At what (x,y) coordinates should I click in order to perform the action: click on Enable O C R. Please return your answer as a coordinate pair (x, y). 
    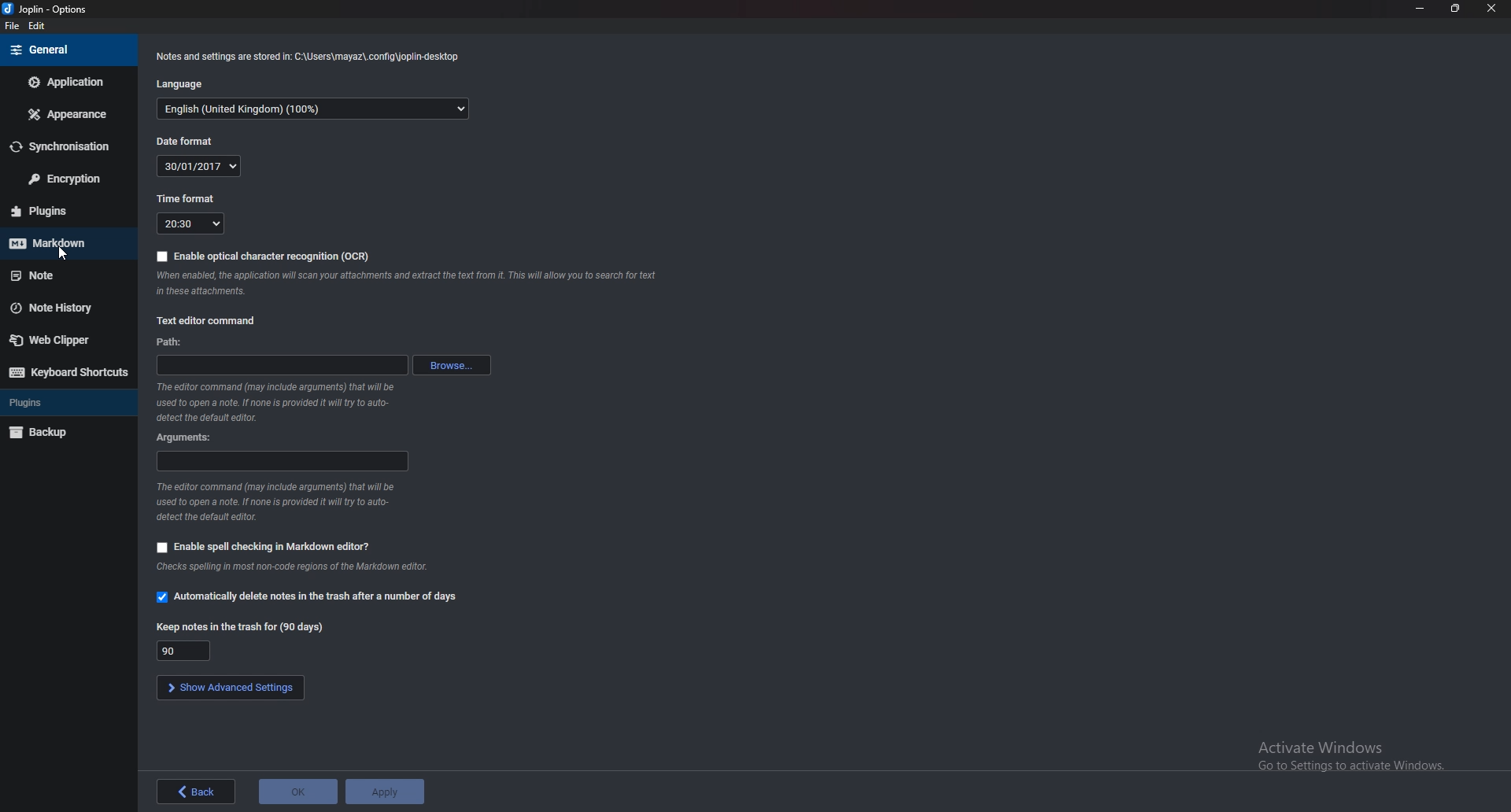
    Looking at the image, I should click on (264, 256).